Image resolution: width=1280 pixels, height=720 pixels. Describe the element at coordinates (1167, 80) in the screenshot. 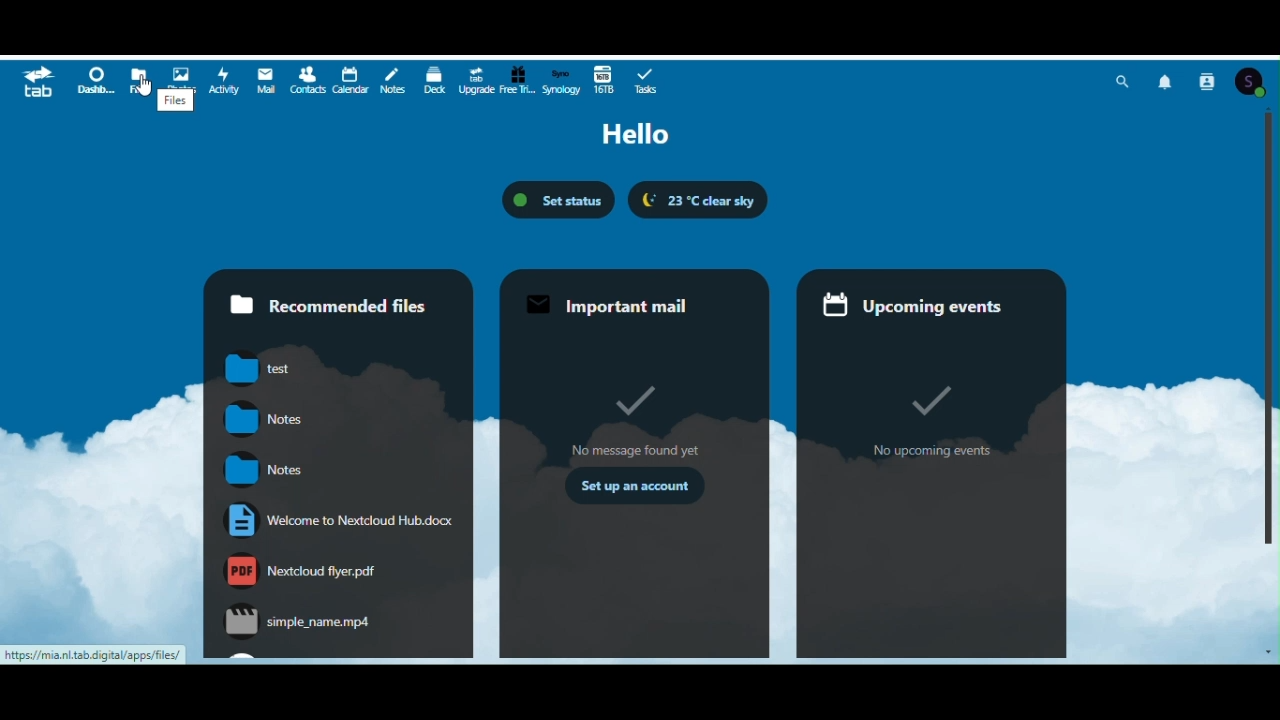

I see `Notifications` at that location.